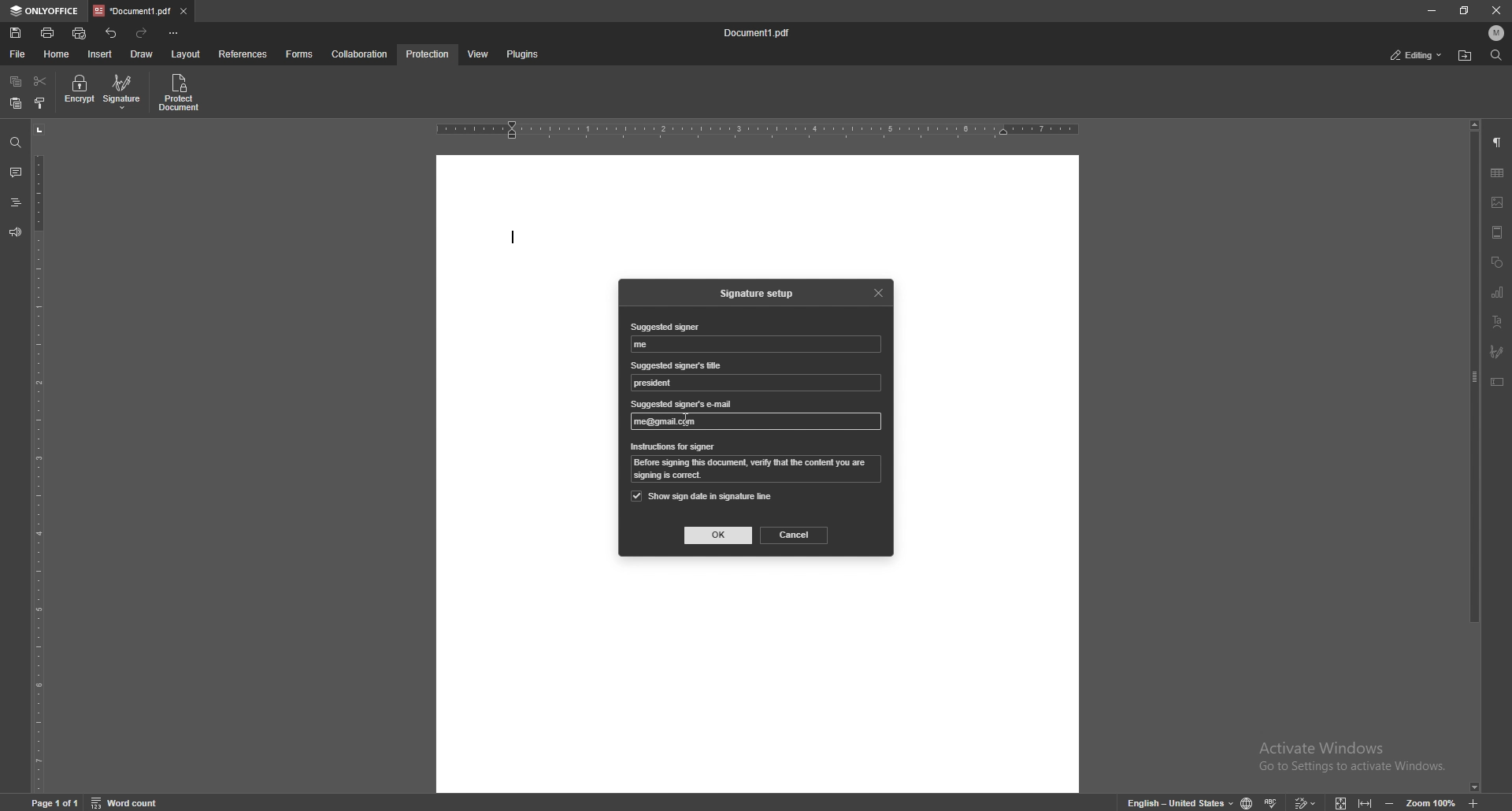 The width and height of the screenshot is (1512, 811). Describe the element at coordinates (719, 535) in the screenshot. I see `ok` at that location.